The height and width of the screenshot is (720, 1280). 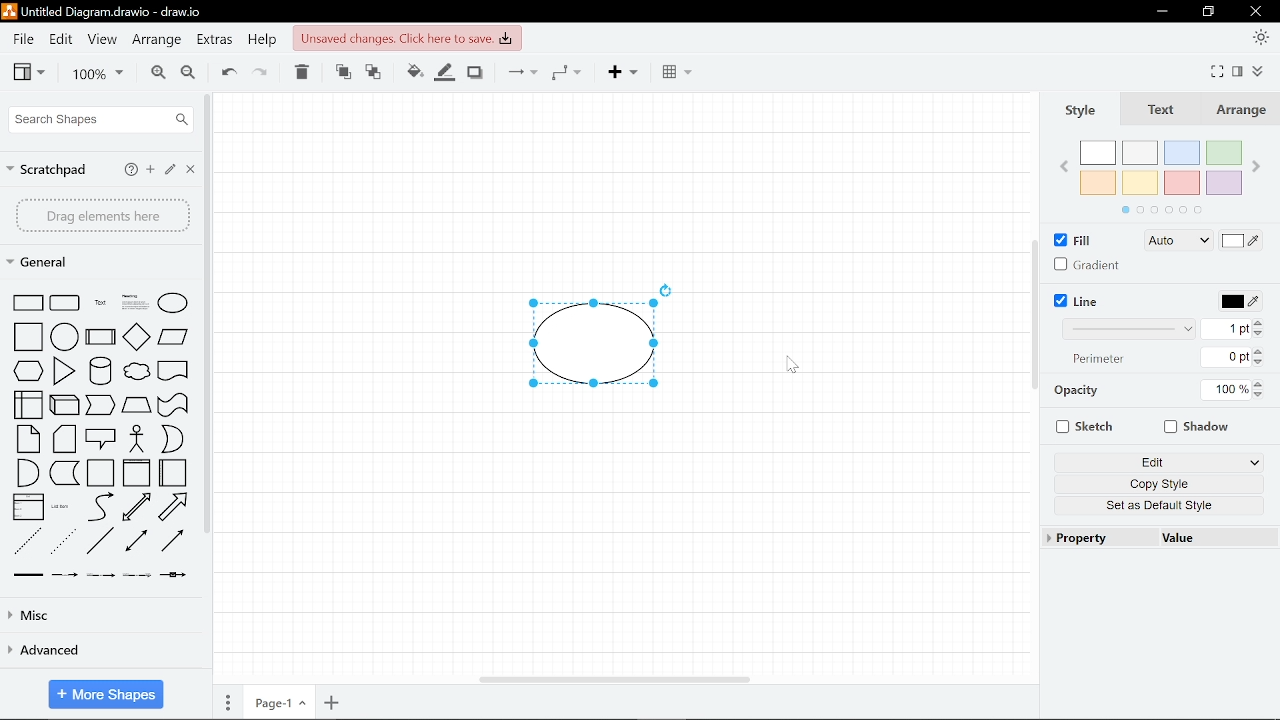 What do you see at coordinates (175, 303) in the screenshot?
I see `ellipse` at bounding box center [175, 303].